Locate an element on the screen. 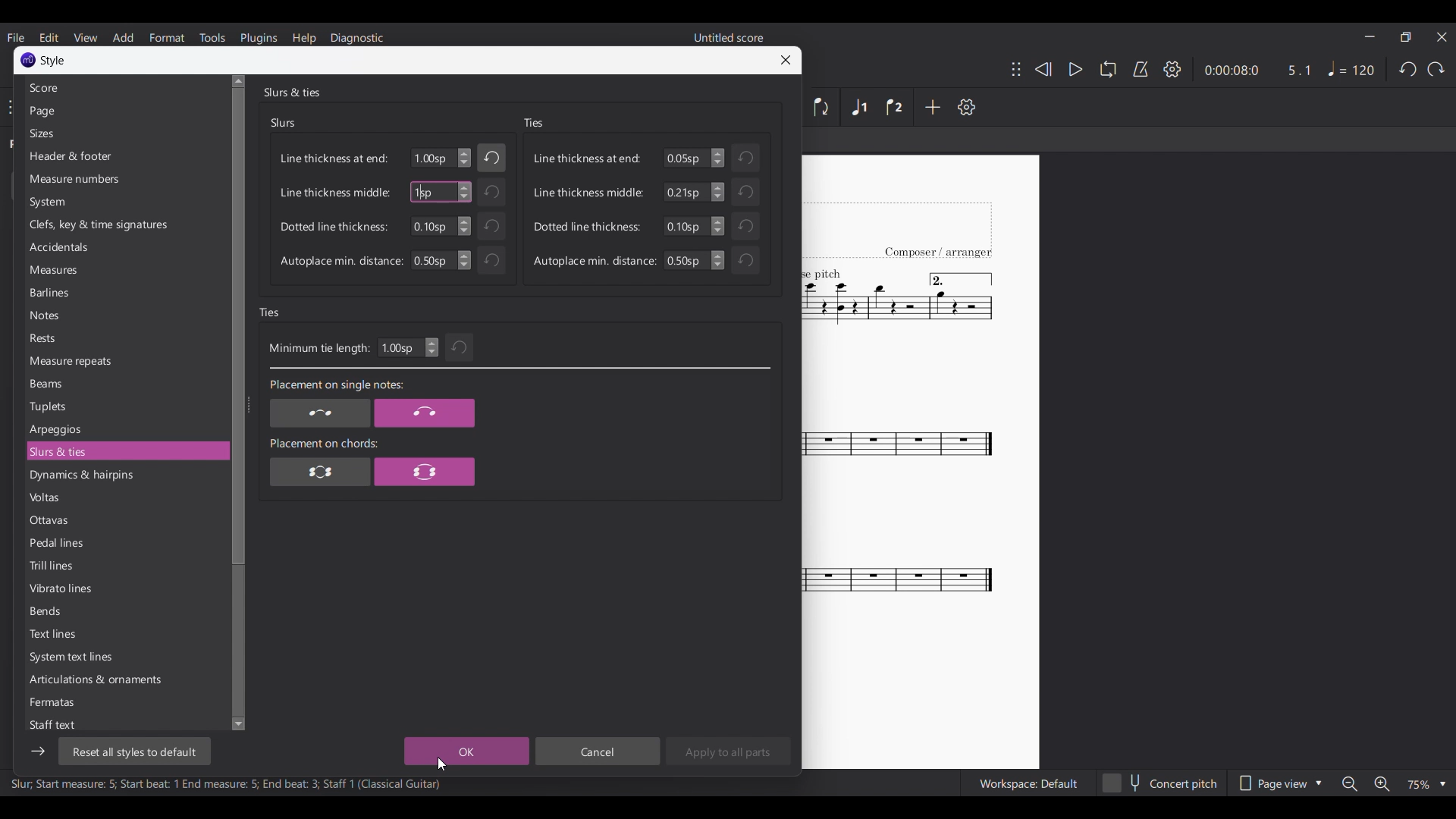 Image resolution: width=1456 pixels, height=819 pixels. Minimize is located at coordinates (1370, 36).